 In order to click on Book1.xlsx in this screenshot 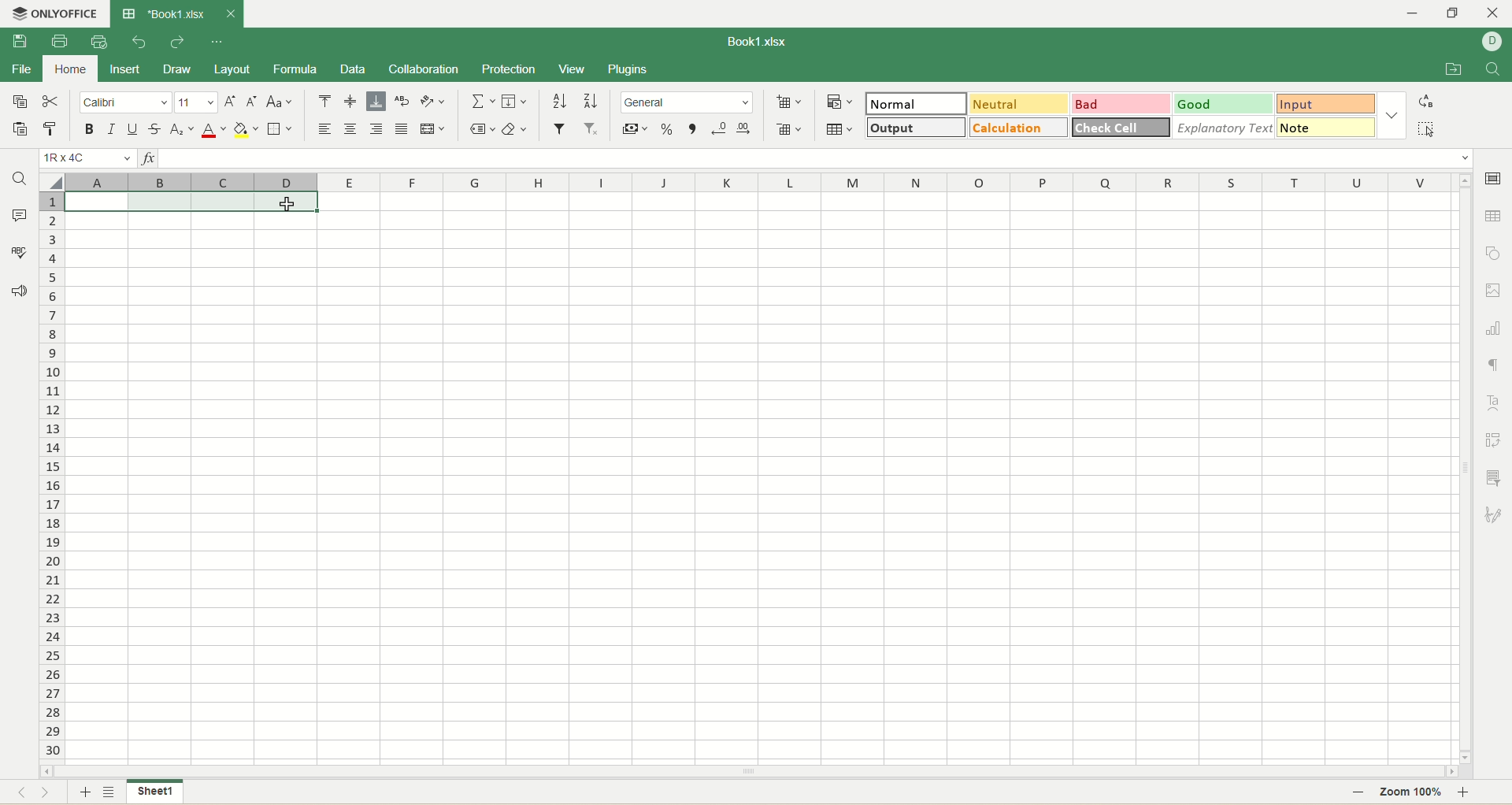, I will do `click(751, 40)`.